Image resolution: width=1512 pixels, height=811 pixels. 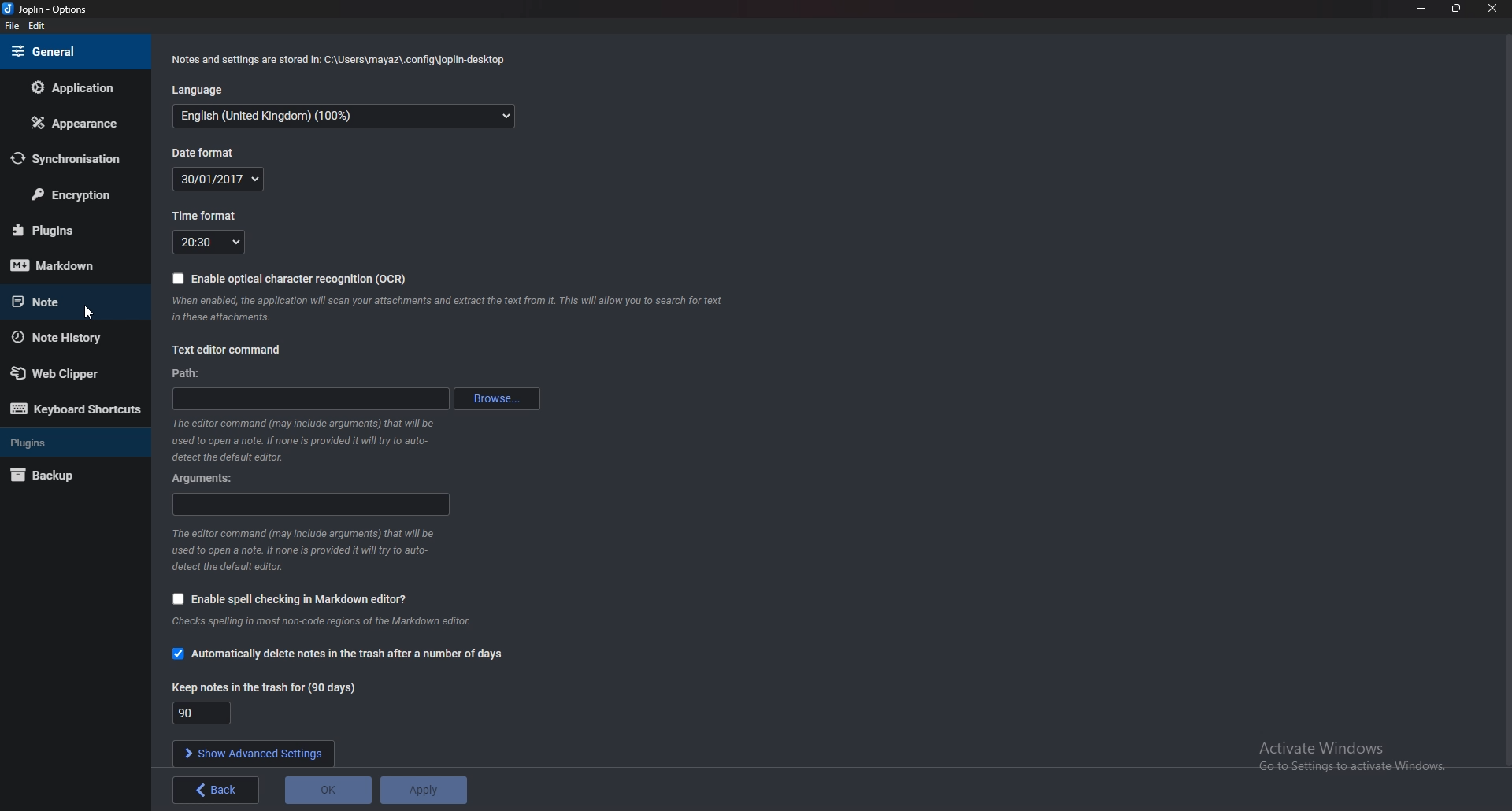 I want to click on Plugins, so click(x=69, y=230).